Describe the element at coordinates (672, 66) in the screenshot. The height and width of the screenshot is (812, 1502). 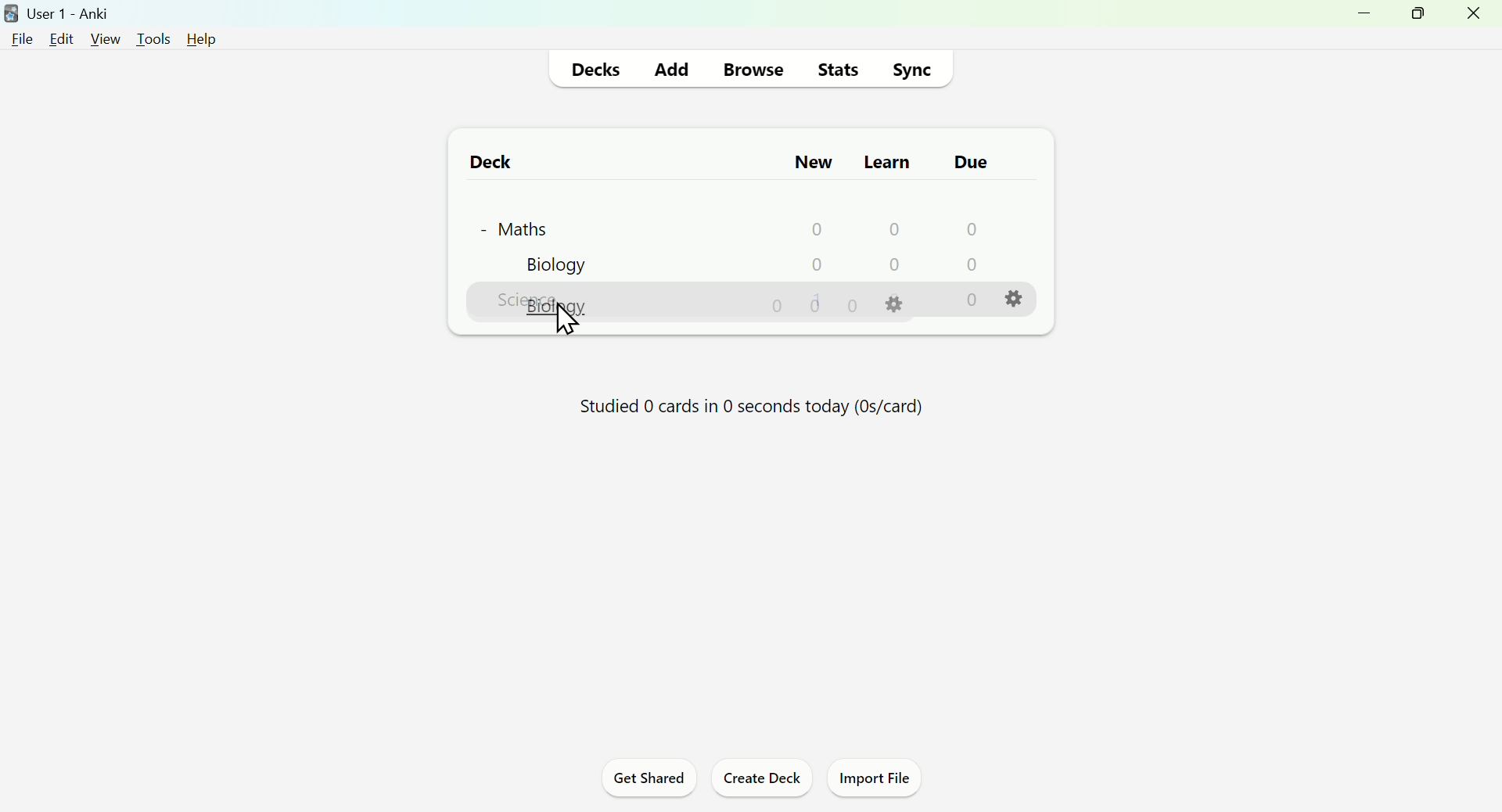
I see `Add` at that location.